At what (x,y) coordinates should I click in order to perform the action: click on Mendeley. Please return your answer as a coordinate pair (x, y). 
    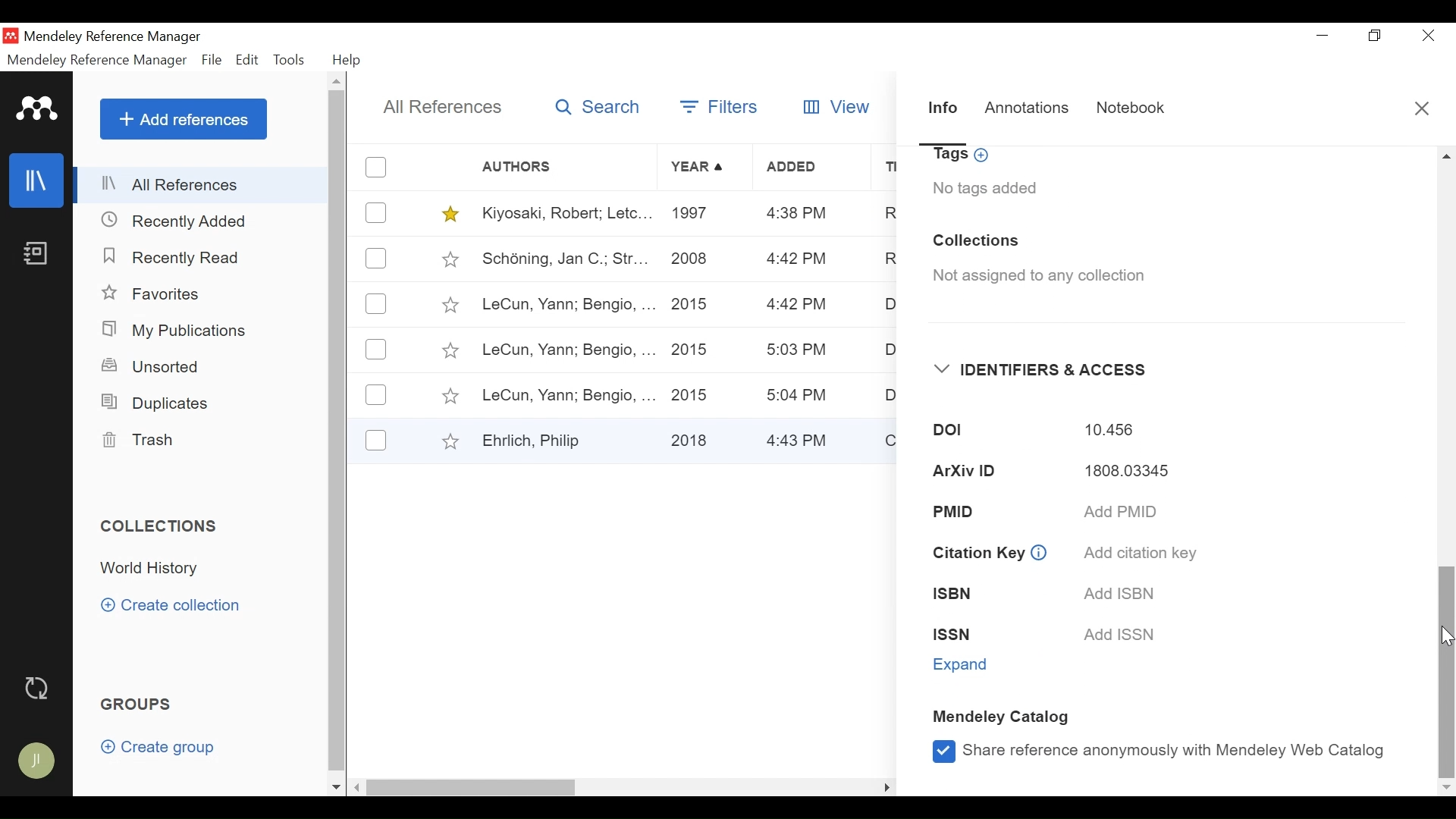
    Looking at the image, I should click on (38, 108).